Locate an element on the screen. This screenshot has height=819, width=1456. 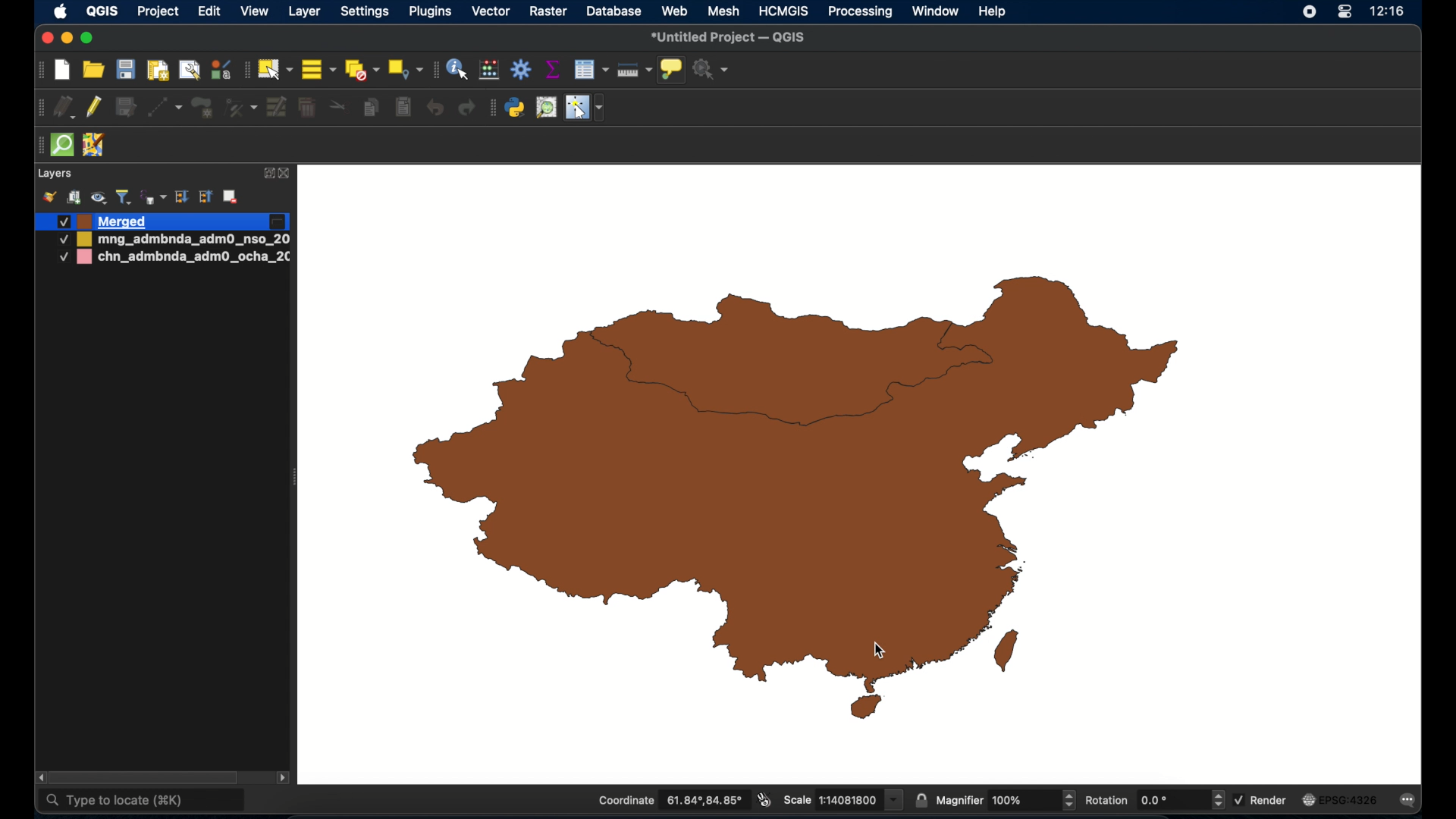
edit is located at coordinates (209, 13).